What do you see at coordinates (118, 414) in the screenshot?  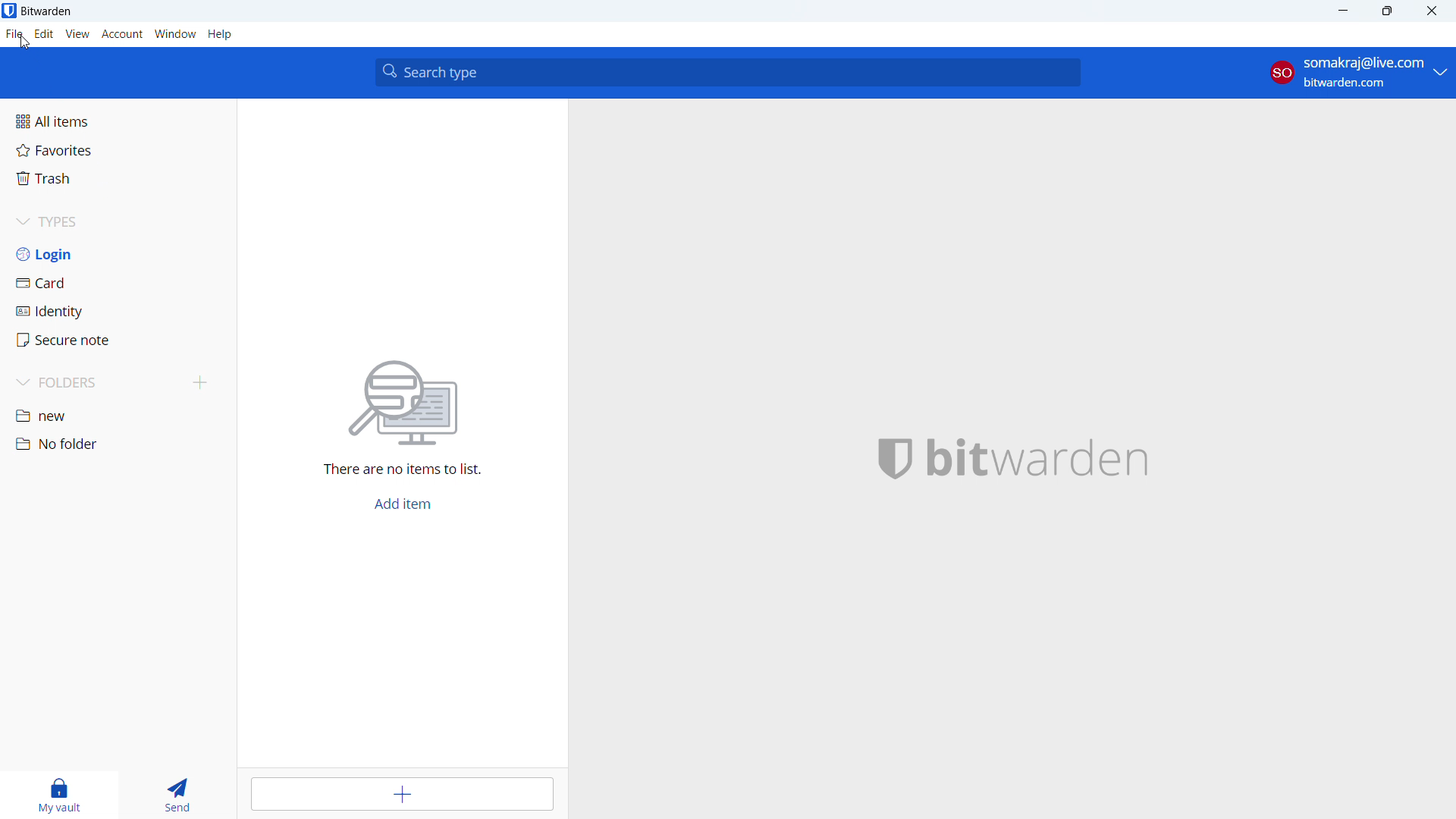 I see `folder 1` at bounding box center [118, 414].